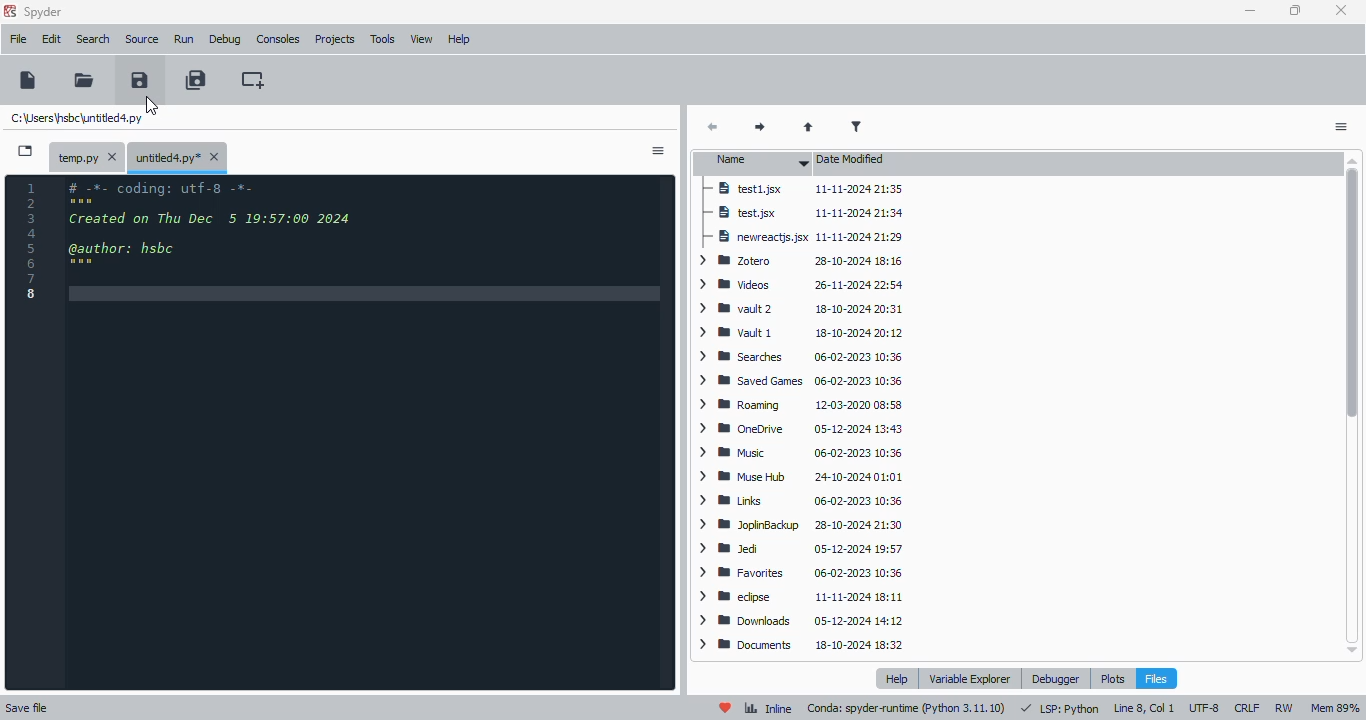 The width and height of the screenshot is (1366, 720). What do you see at coordinates (10, 10) in the screenshot?
I see `logo` at bounding box center [10, 10].